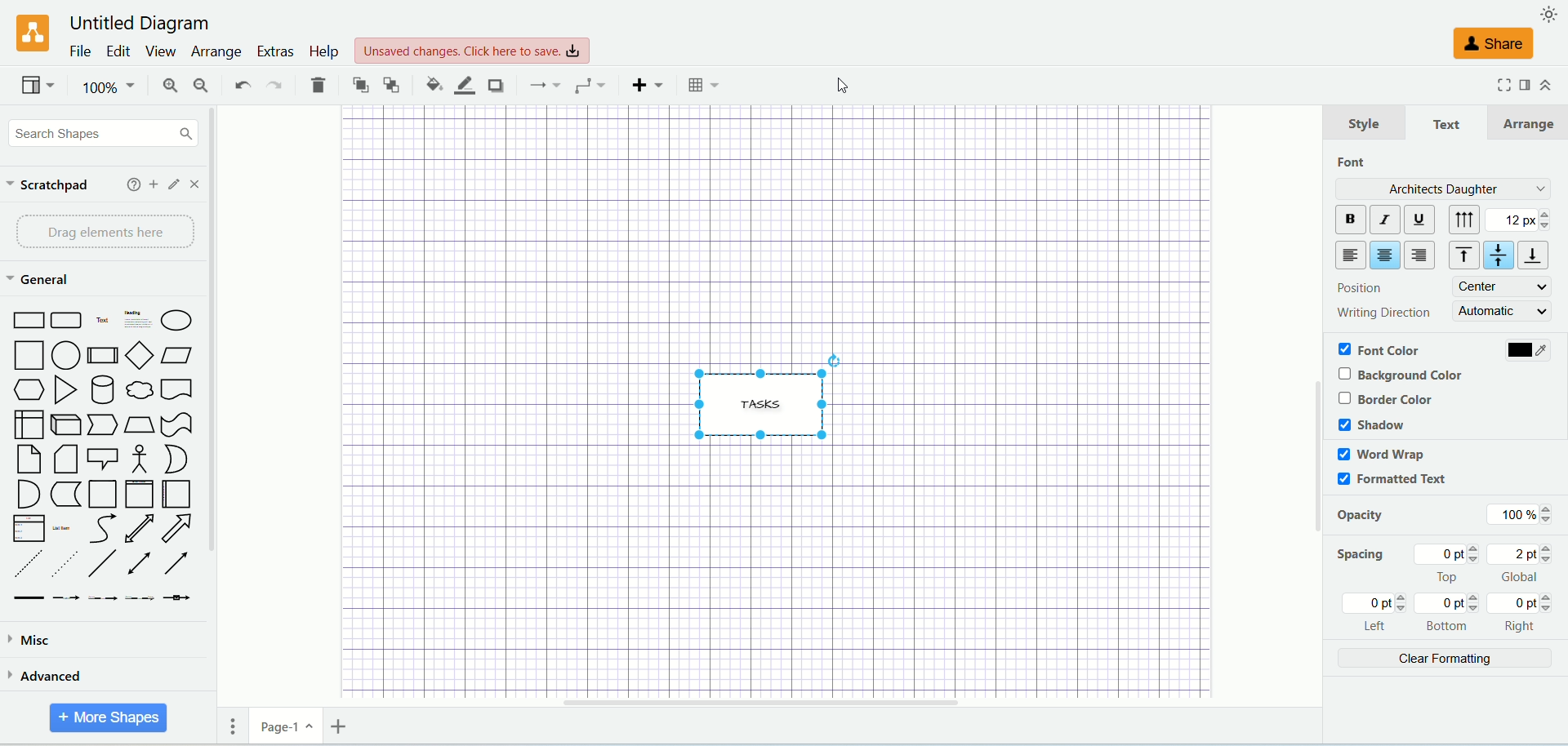 Image resolution: width=1568 pixels, height=746 pixels. What do you see at coordinates (1546, 84) in the screenshot?
I see `collapse/expand` at bounding box center [1546, 84].